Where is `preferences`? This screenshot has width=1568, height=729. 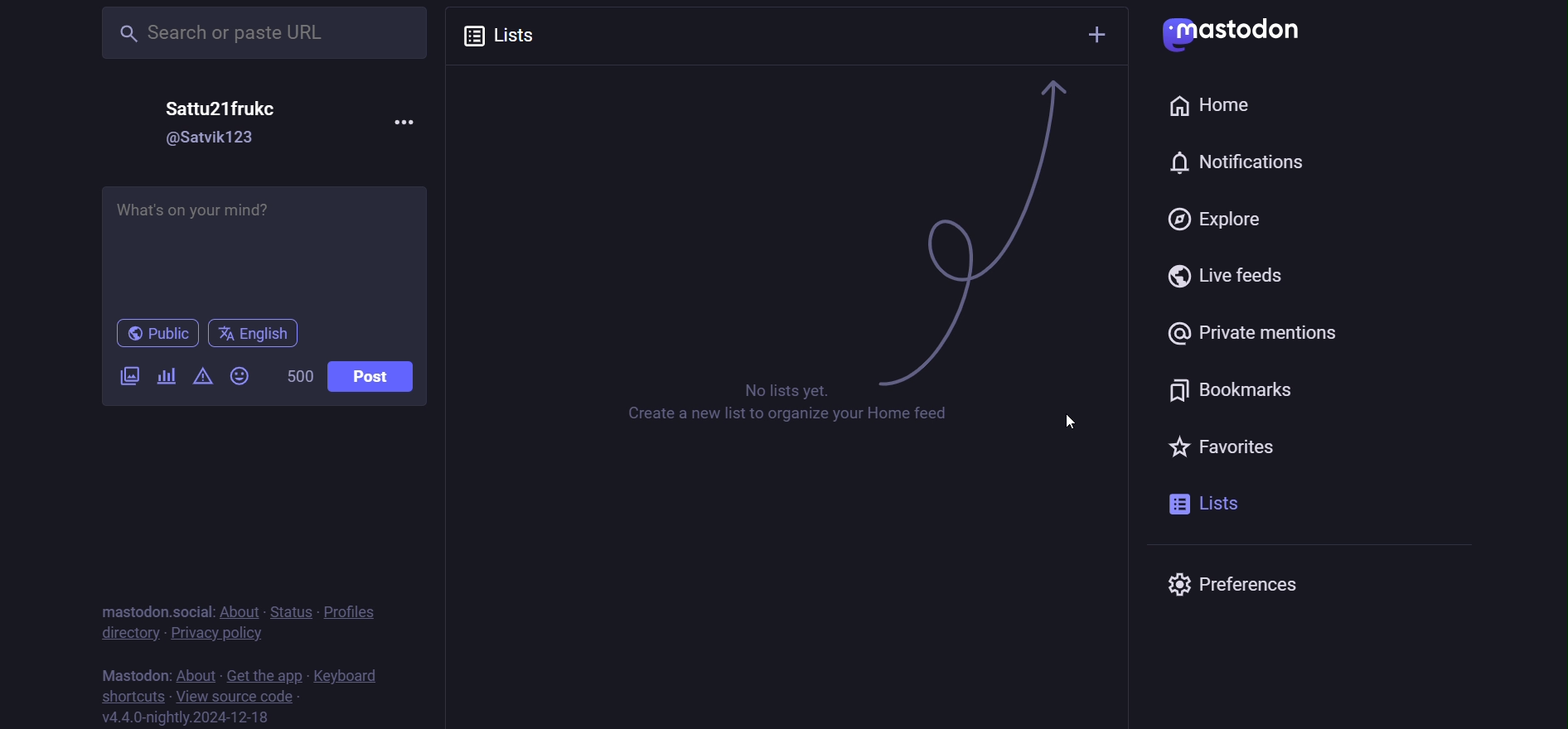 preferences is located at coordinates (1248, 585).